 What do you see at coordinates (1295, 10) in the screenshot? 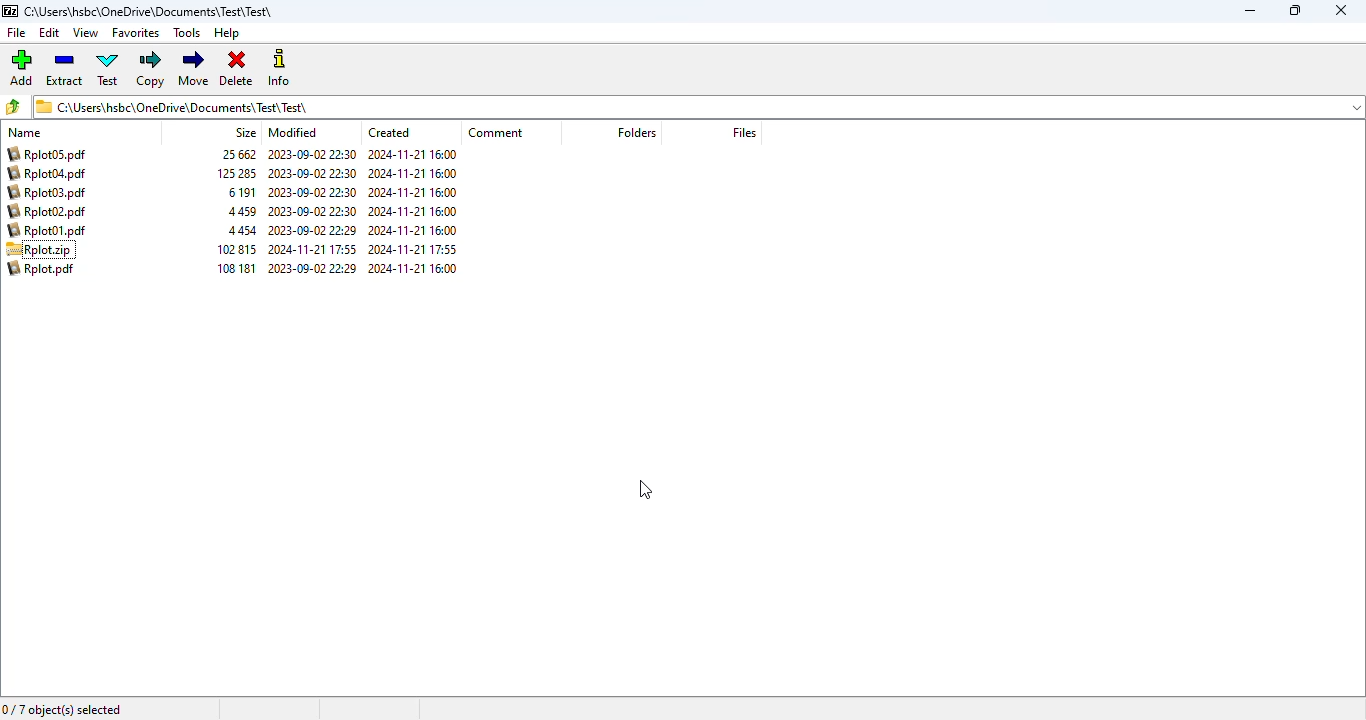
I see `maximize` at bounding box center [1295, 10].